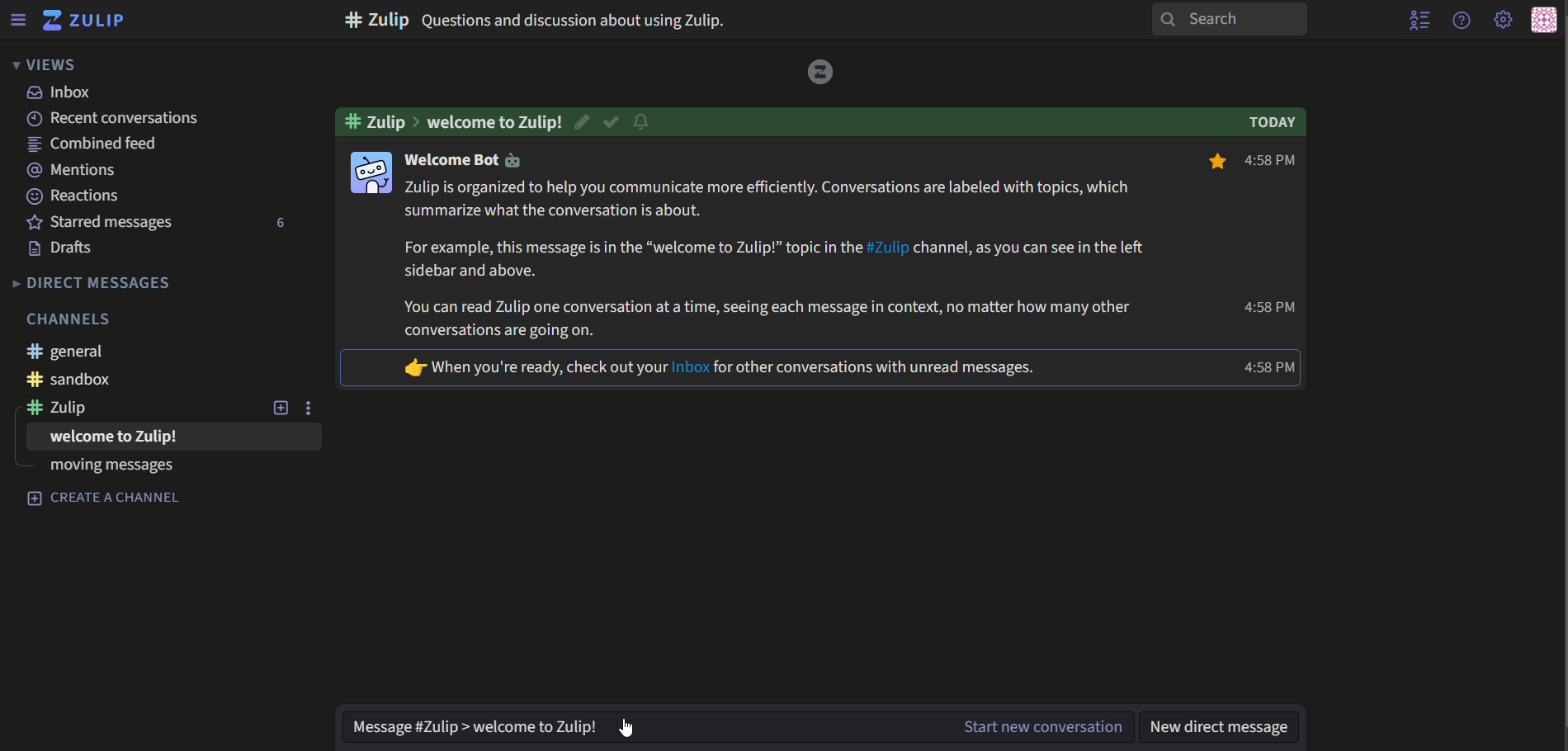 The height and width of the screenshot is (751, 1568). I want to click on Cursor, so click(628, 730).